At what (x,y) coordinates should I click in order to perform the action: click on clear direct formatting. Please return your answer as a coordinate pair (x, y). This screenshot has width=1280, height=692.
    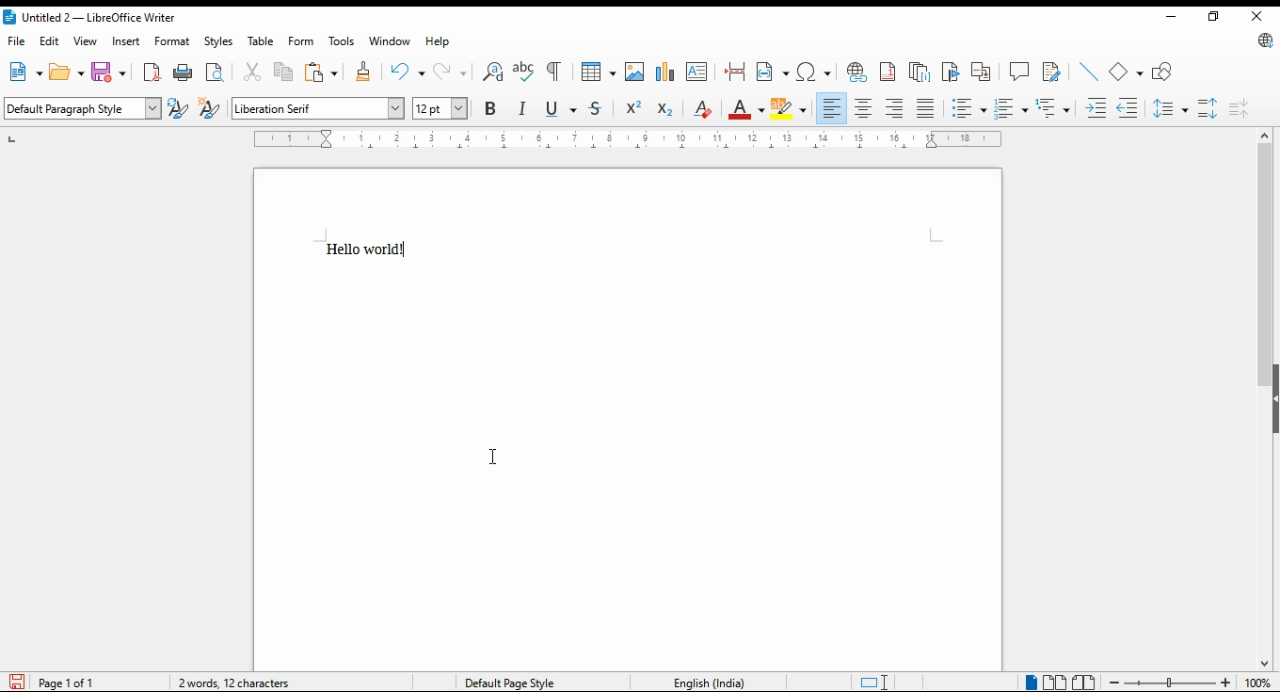
    Looking at the image, I should click on (706, 109).